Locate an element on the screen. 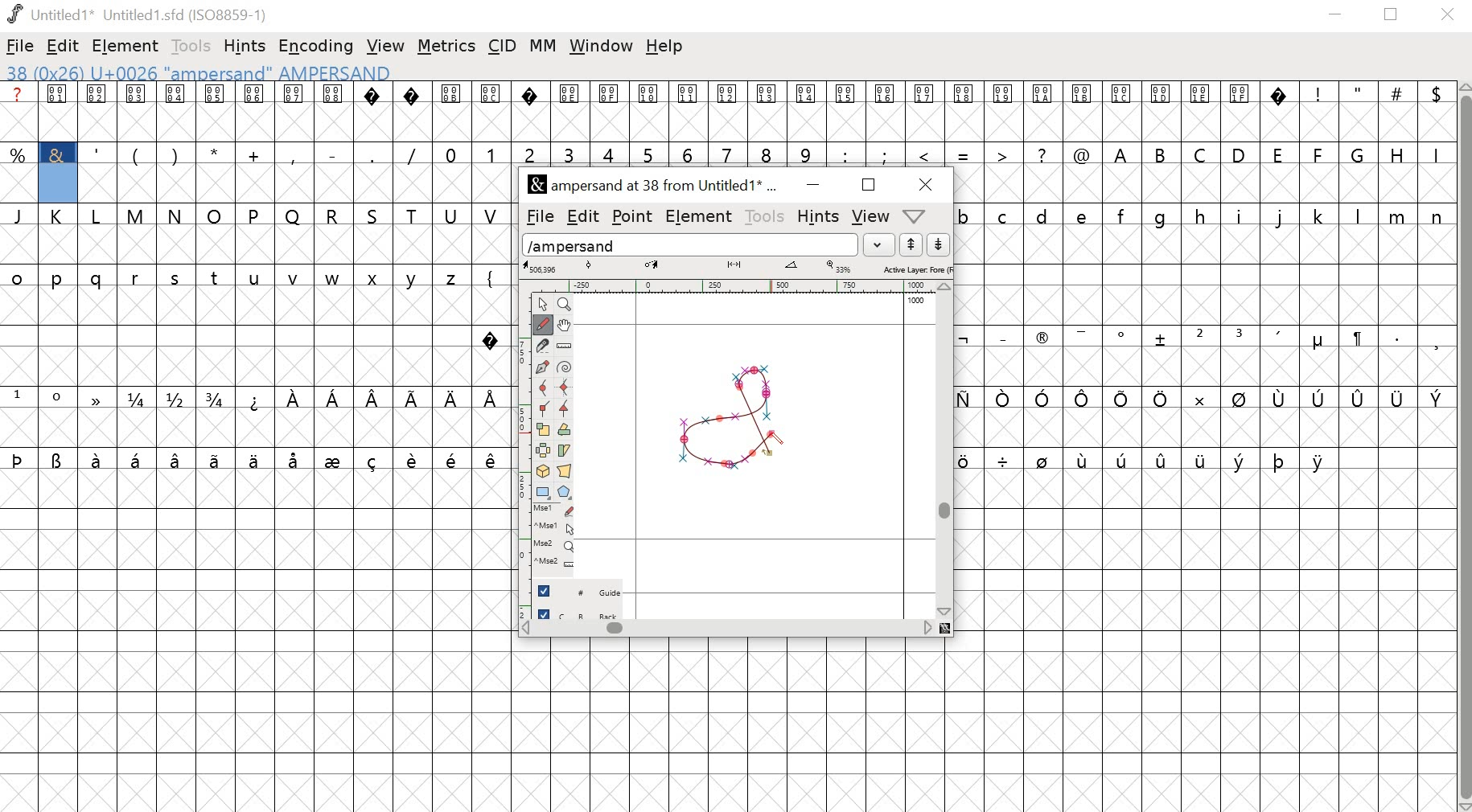  HELP is located at coordinates (913, 217).